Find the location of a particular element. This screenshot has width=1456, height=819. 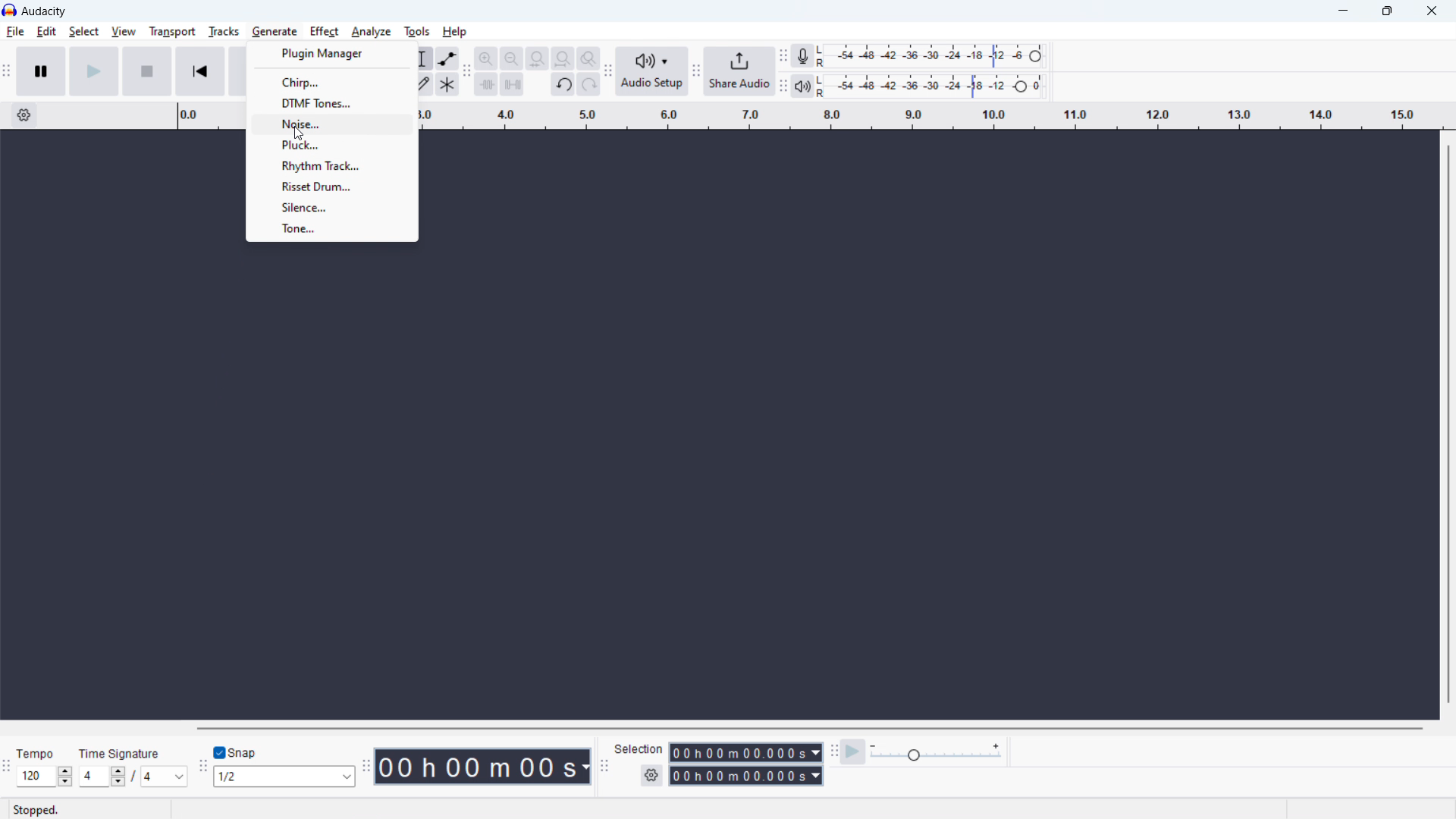

analyze is located at coordinates (371, 31).